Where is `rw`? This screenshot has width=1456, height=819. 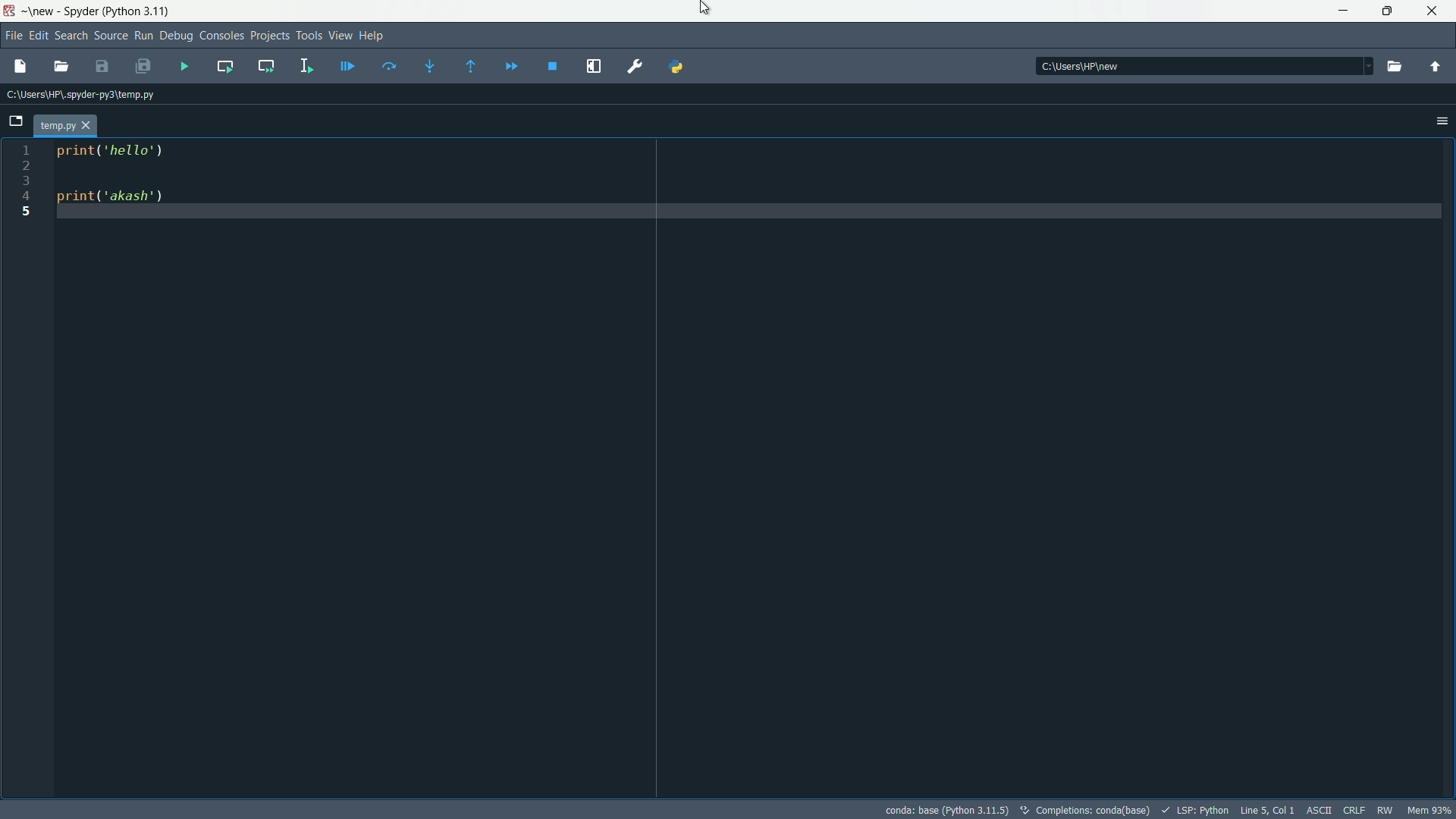 rw is located at coordinates (1387, 810).